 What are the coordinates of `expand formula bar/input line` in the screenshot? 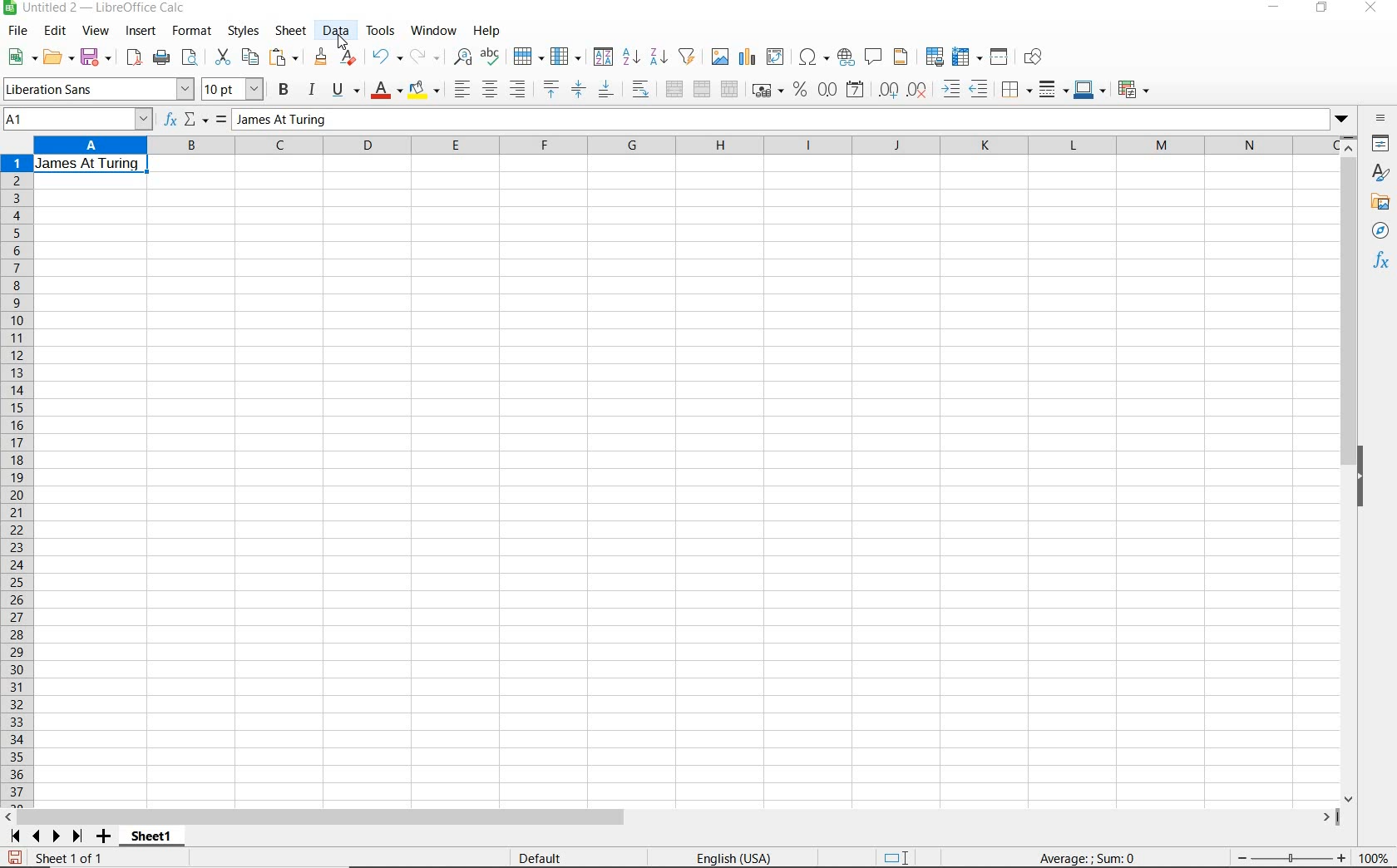 It's located at (776, 119).